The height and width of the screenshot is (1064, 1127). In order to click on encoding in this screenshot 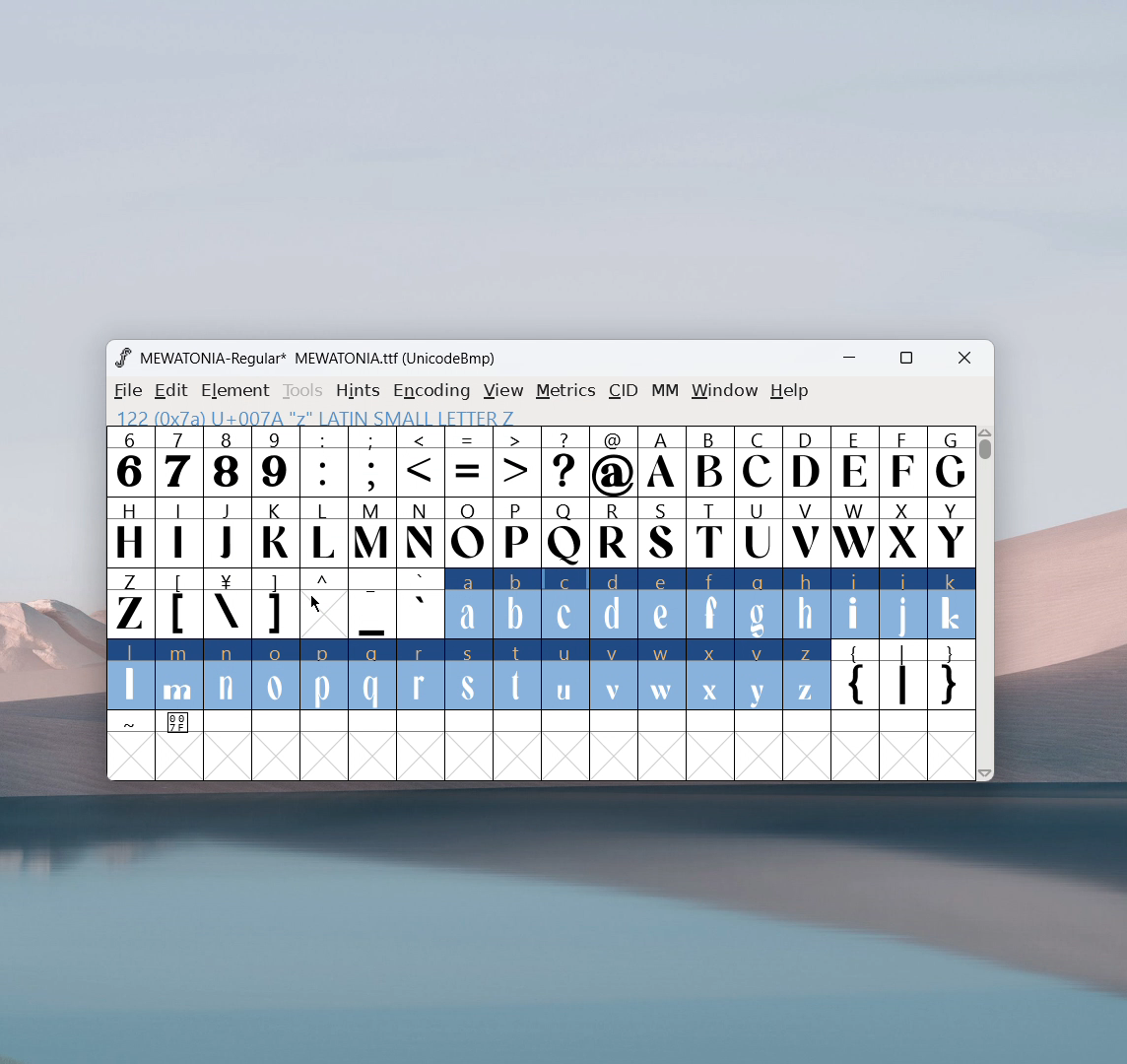, I will do `click(431, 389)`.